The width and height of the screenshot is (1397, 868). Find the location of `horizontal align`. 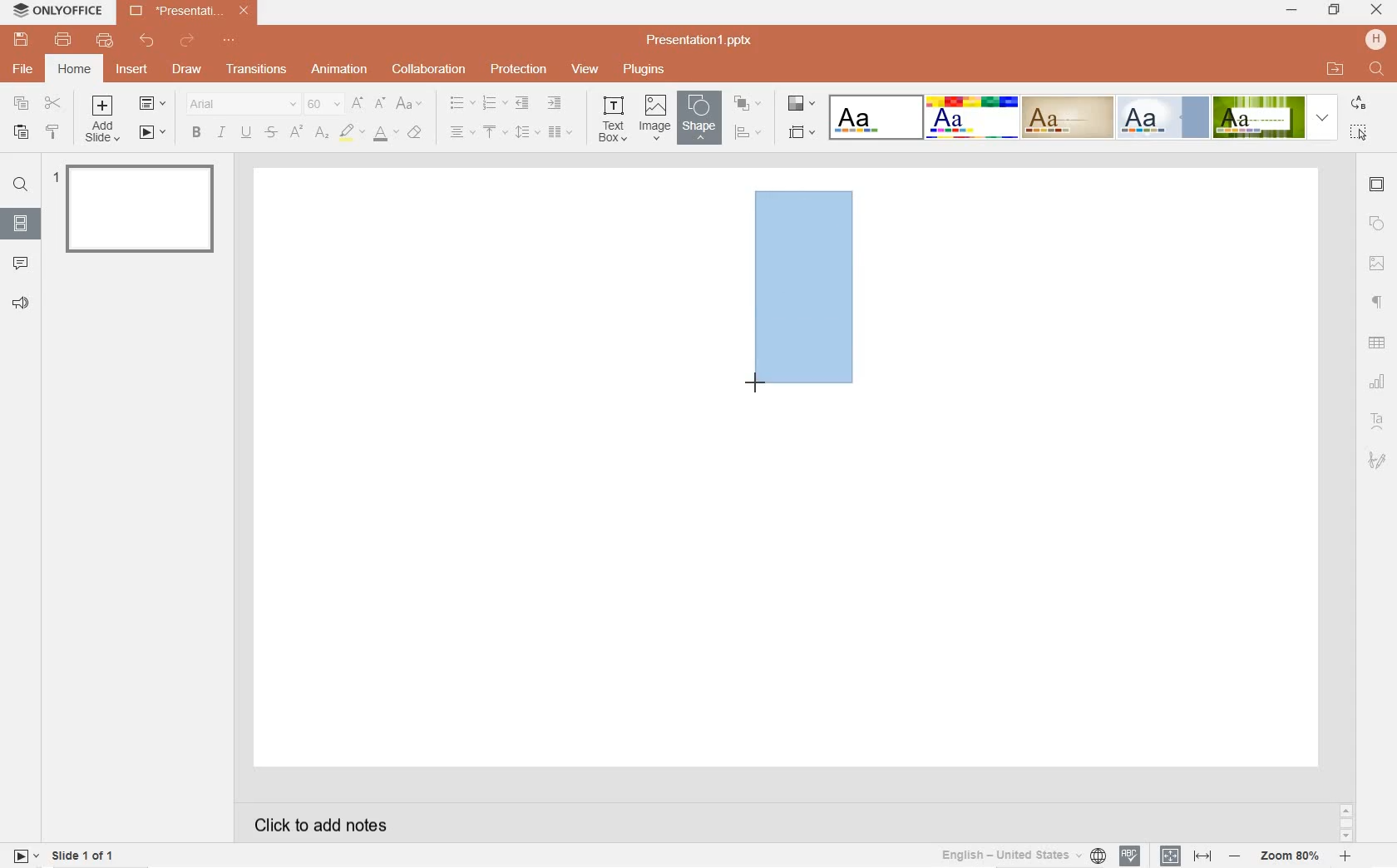

horizontal align is located at coordinates (462, 133).